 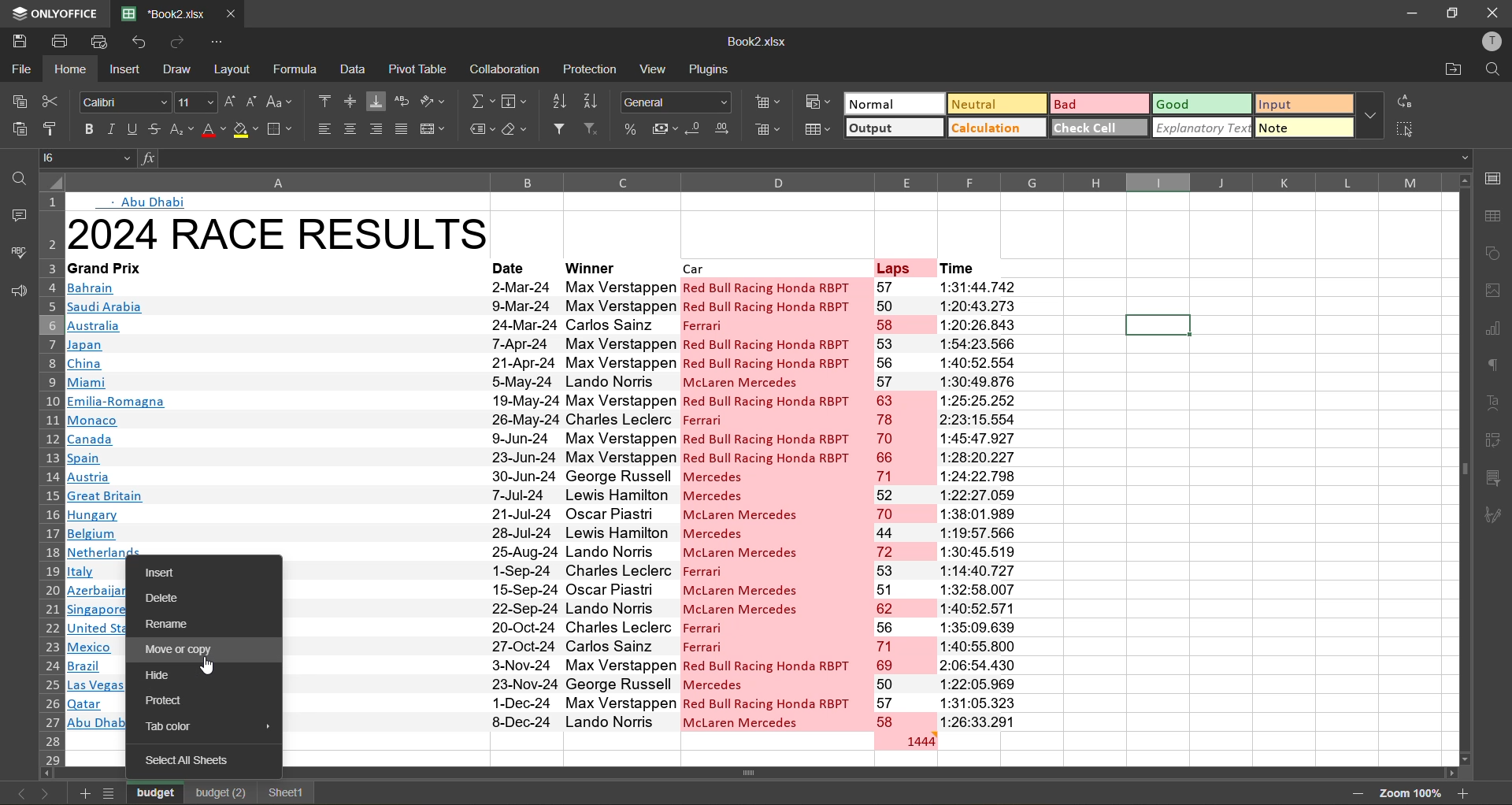 What do you see at coordinates (172, 573) in the screenshot?
I see `insert` at bounding box center [172, 573].